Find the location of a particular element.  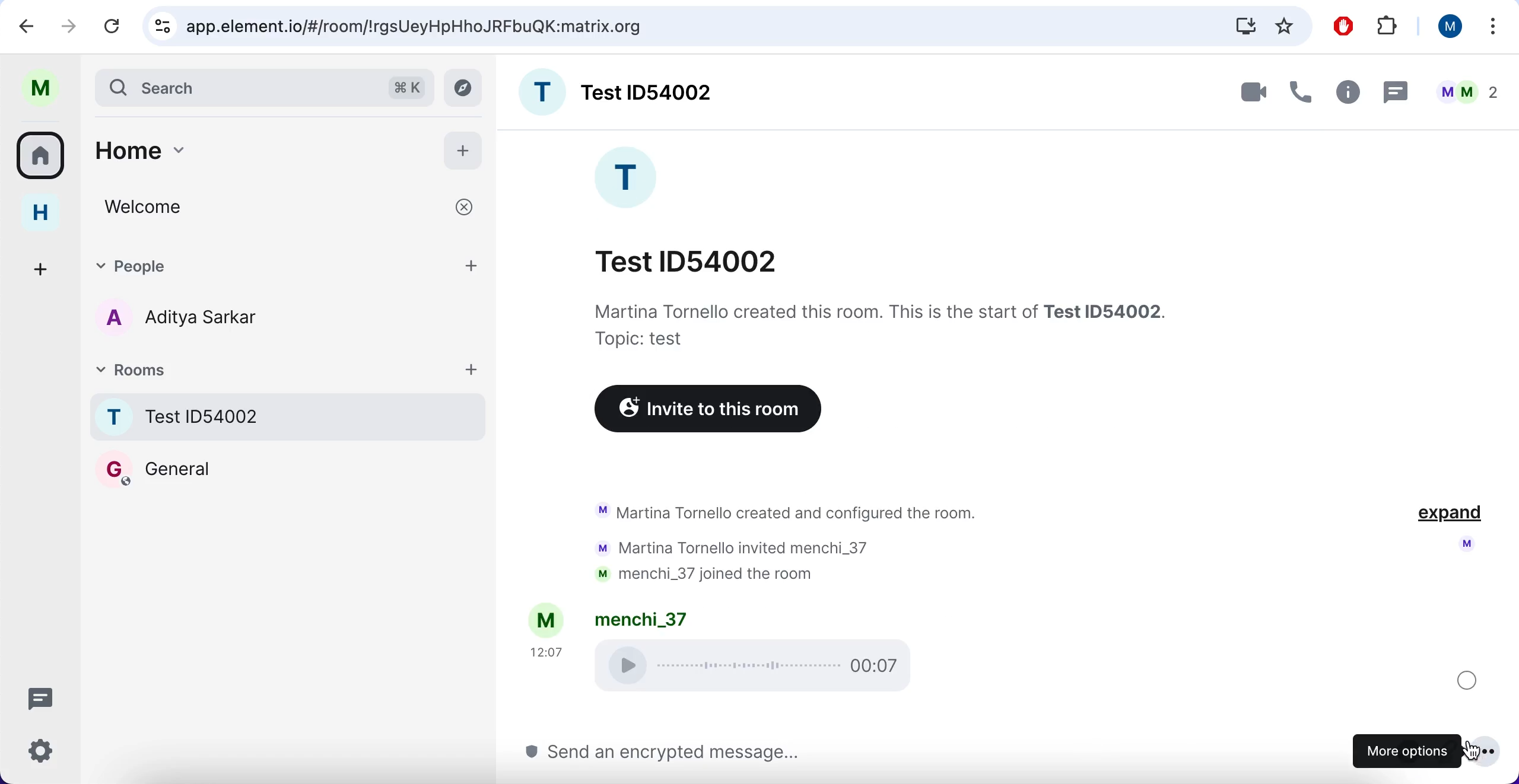

cursor is located at coordinates (1487, 753).